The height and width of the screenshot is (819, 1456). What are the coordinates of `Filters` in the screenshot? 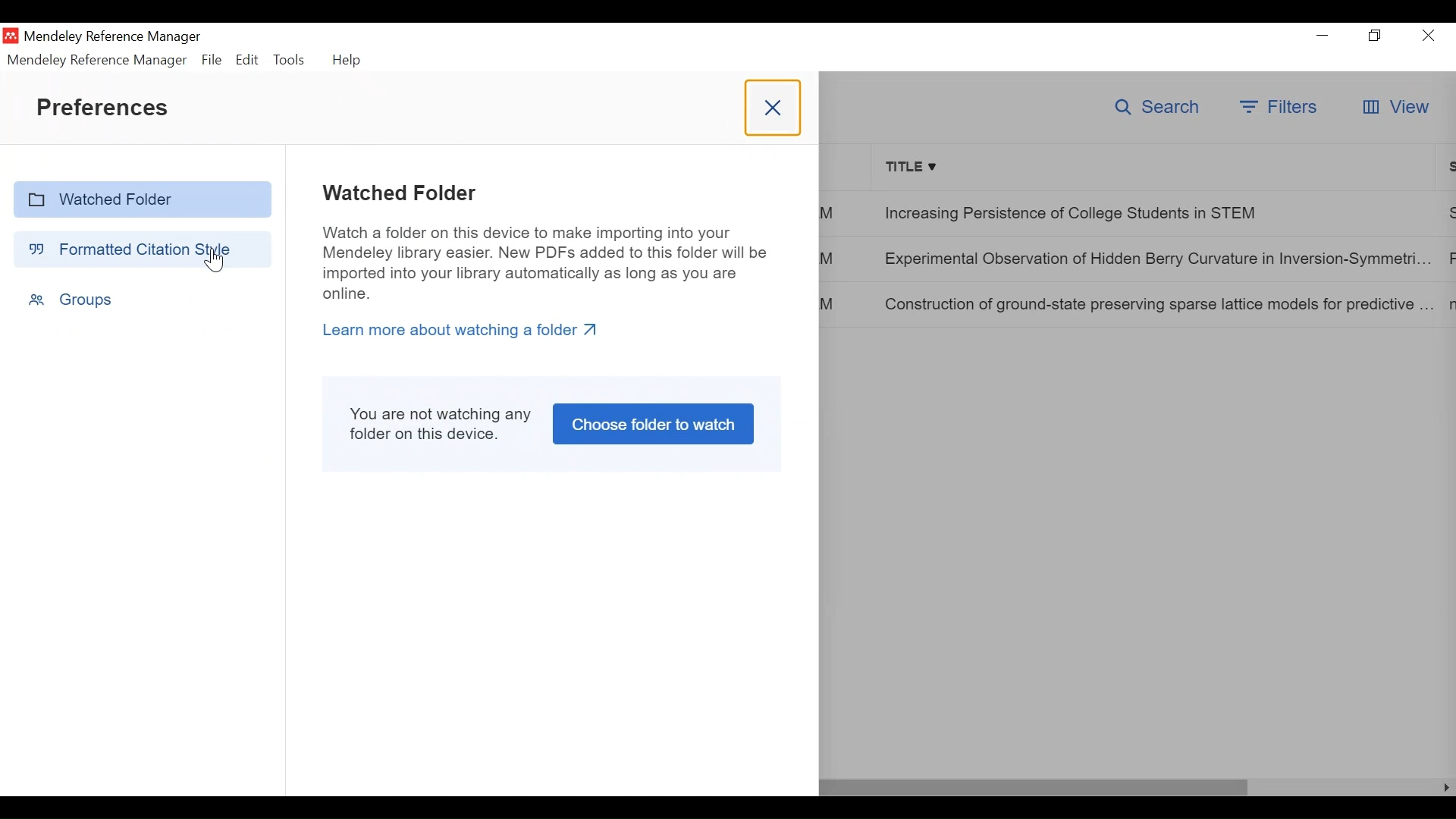 It's located at (1280, 108).